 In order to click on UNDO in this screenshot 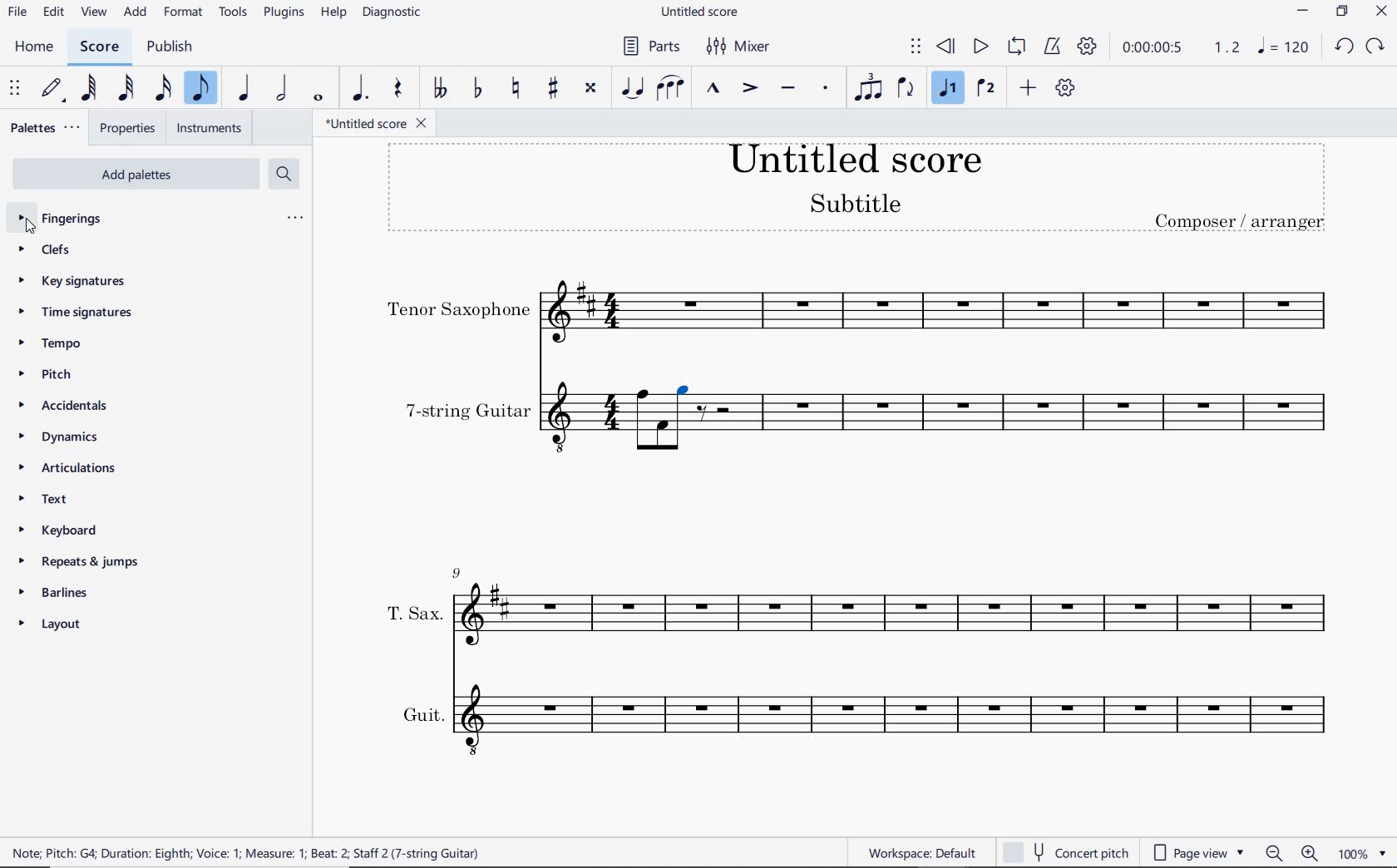, I will do `click(1344, 46)`.